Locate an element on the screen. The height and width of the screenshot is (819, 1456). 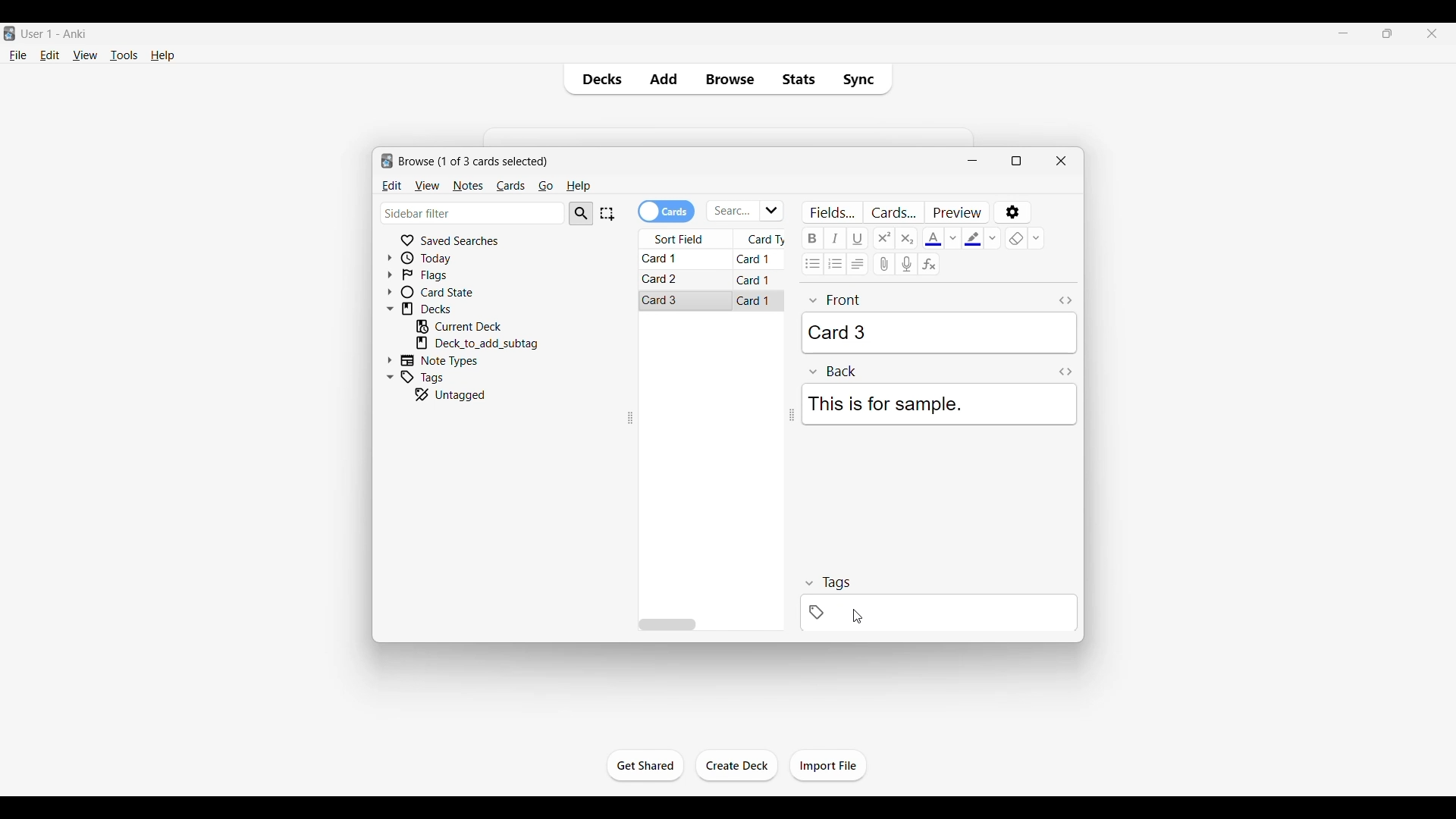
Click to go to Flags  is located at coordinates (449, 275).